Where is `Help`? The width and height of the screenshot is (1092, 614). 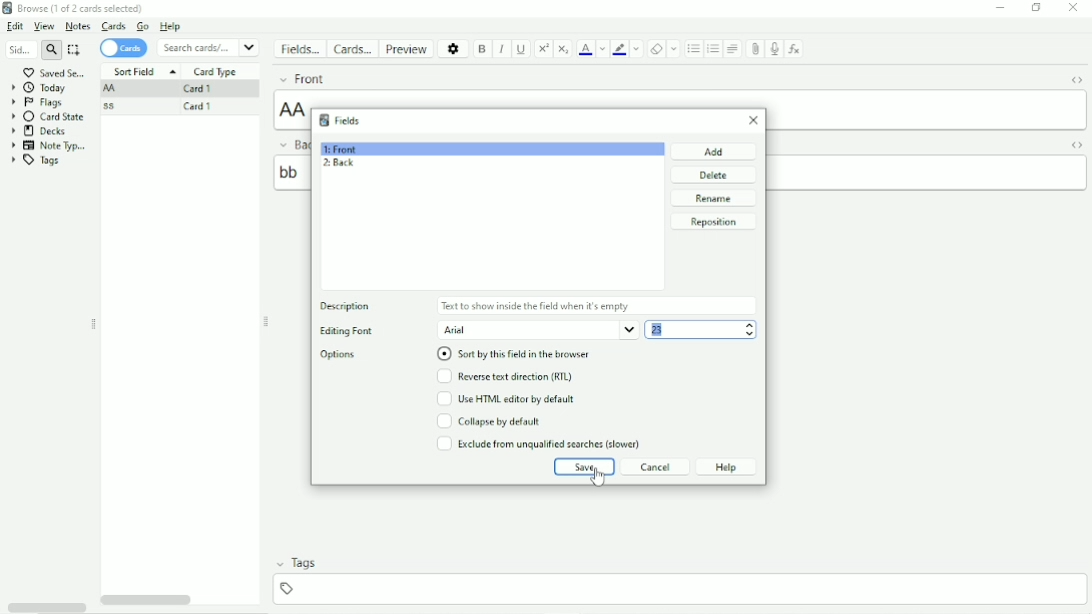
Help is located at coordinates (176, 27).